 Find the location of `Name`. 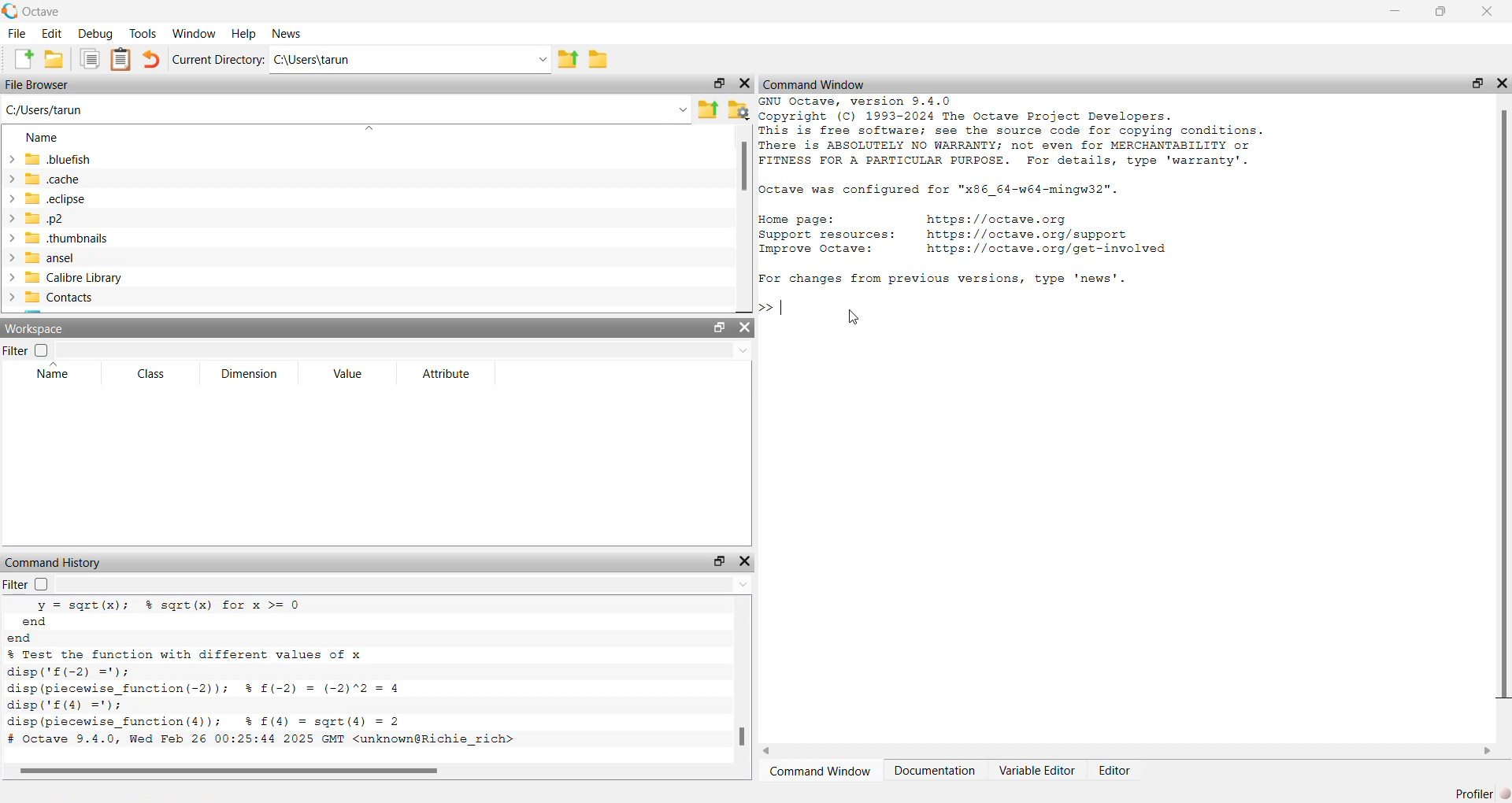

Name is located at coordinates (57, 373).